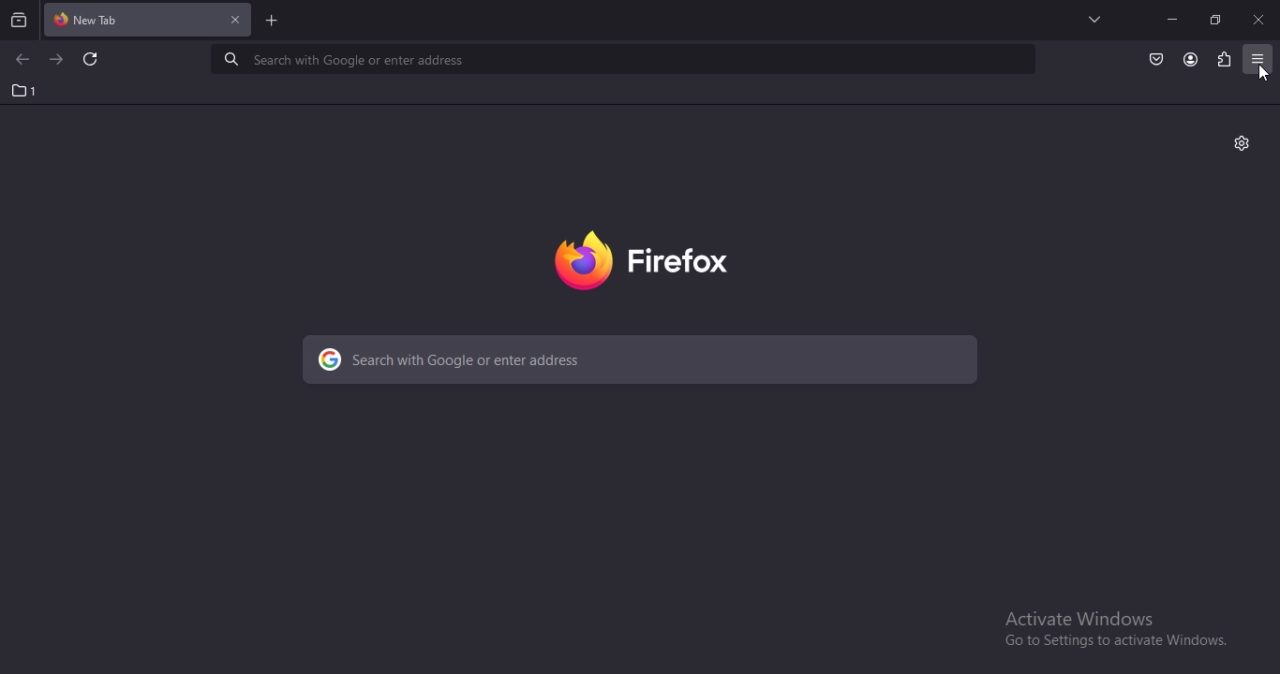 The height and width of the screenshot is (674, 1280). I want to click on 1, so click(19, 90).